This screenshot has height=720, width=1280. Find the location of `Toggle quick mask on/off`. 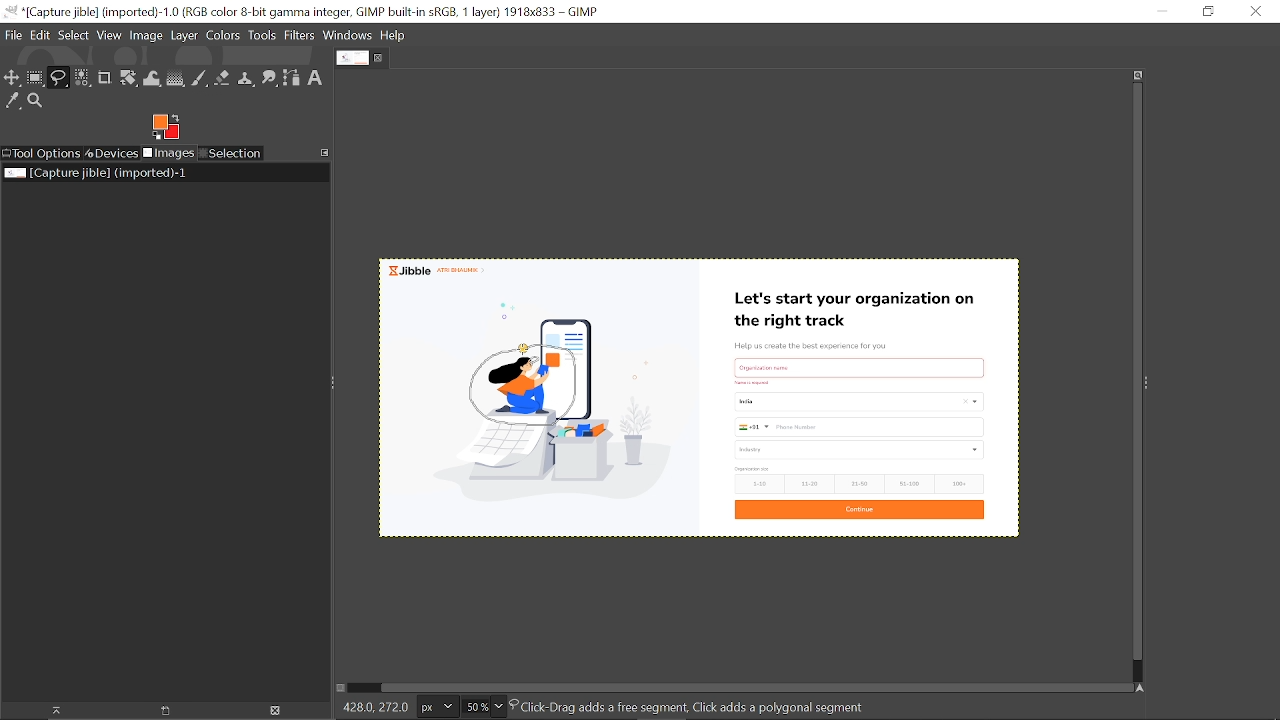

Toggle quick mask on/off is located at coordinates (339, 688).